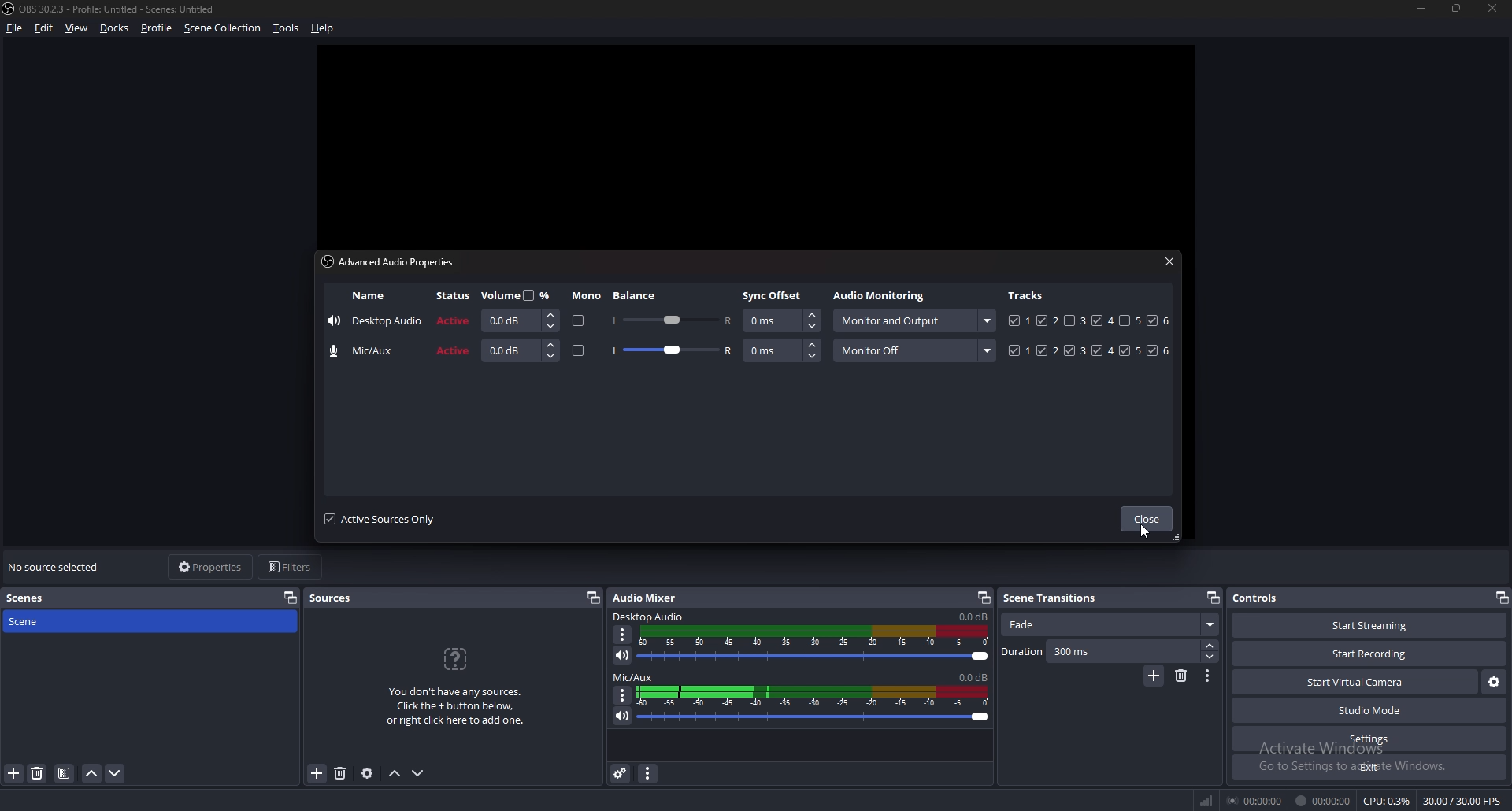 This screenshot has width=1512, height=811. Describe the element at coordinates (395, 773) in the screenshot. I see `move sources up` at that location.